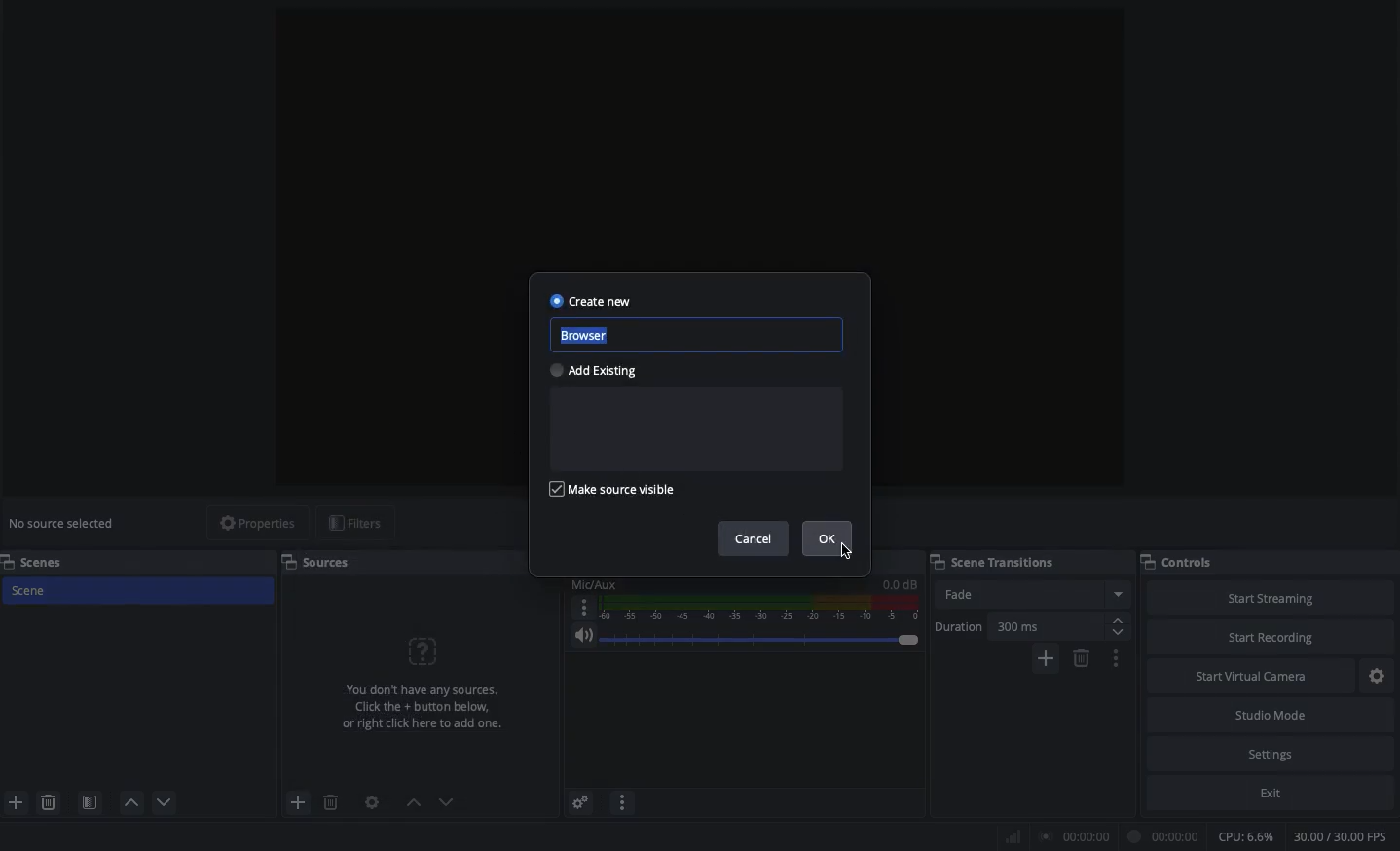 This screenshot has width=1400, height=851. I want to click on Options, so click(1117, 658).